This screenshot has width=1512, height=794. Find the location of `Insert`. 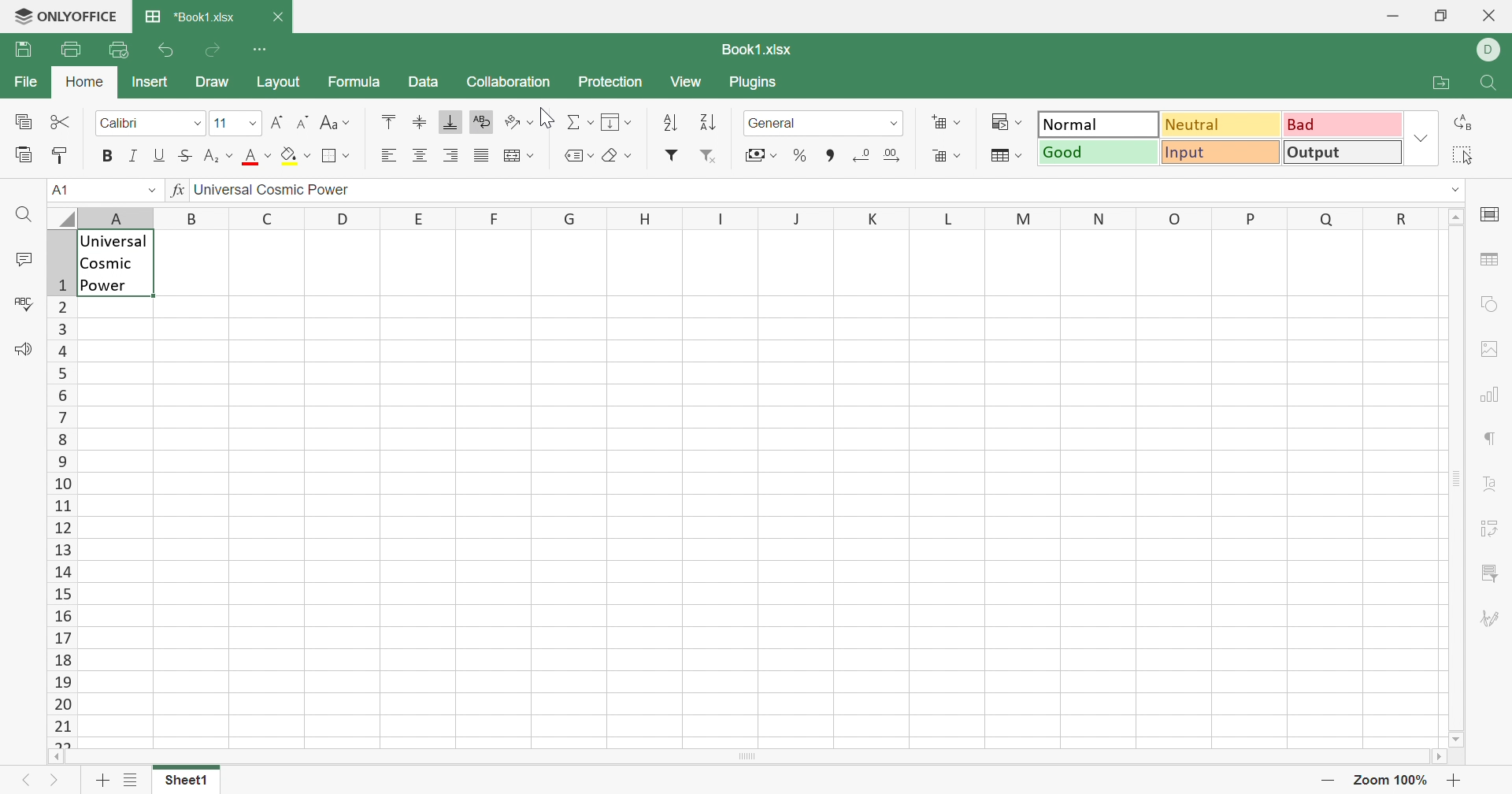

Insert is located at coordinates (150, 83).